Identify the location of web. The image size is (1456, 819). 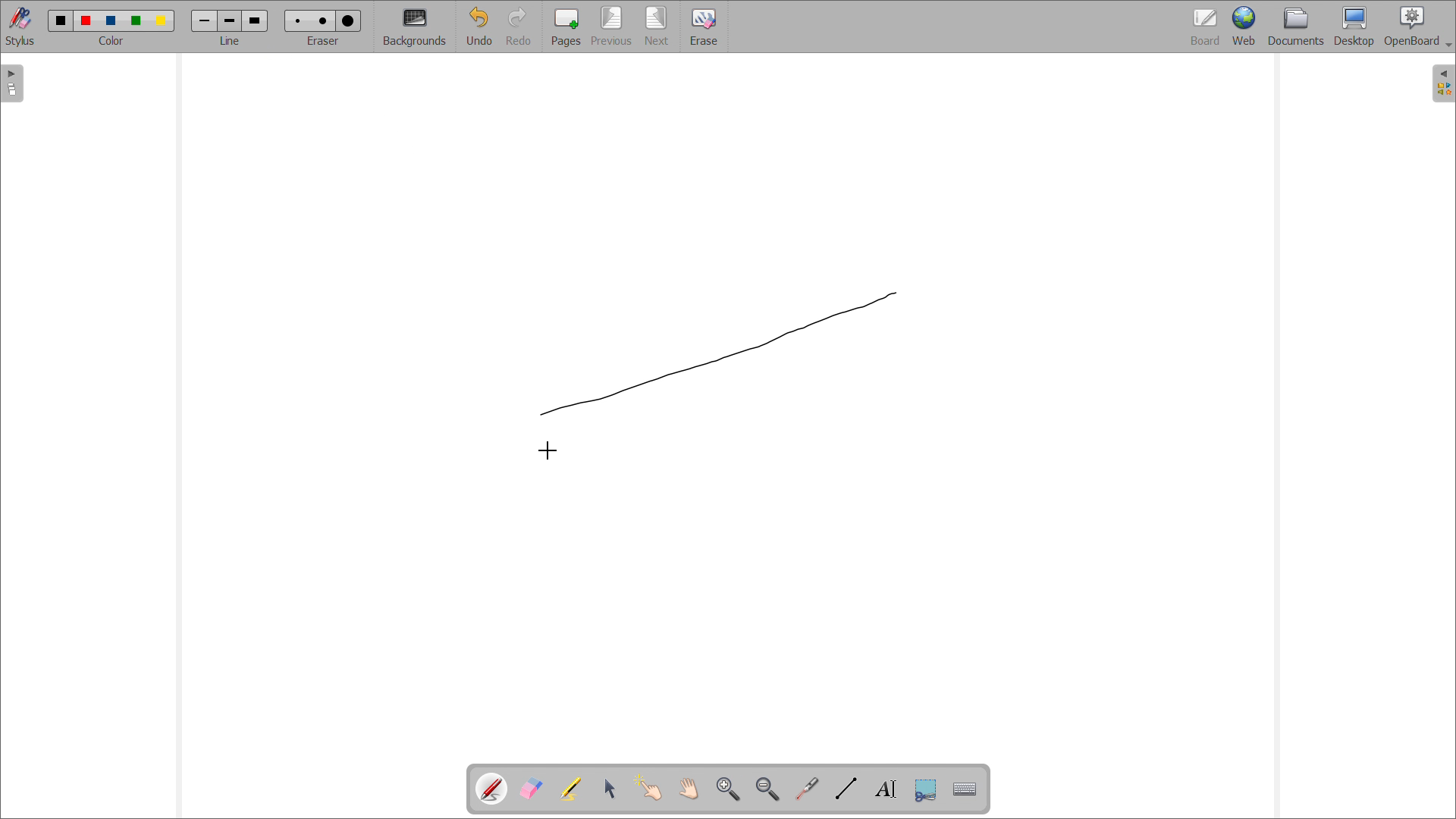
(1244, 27).